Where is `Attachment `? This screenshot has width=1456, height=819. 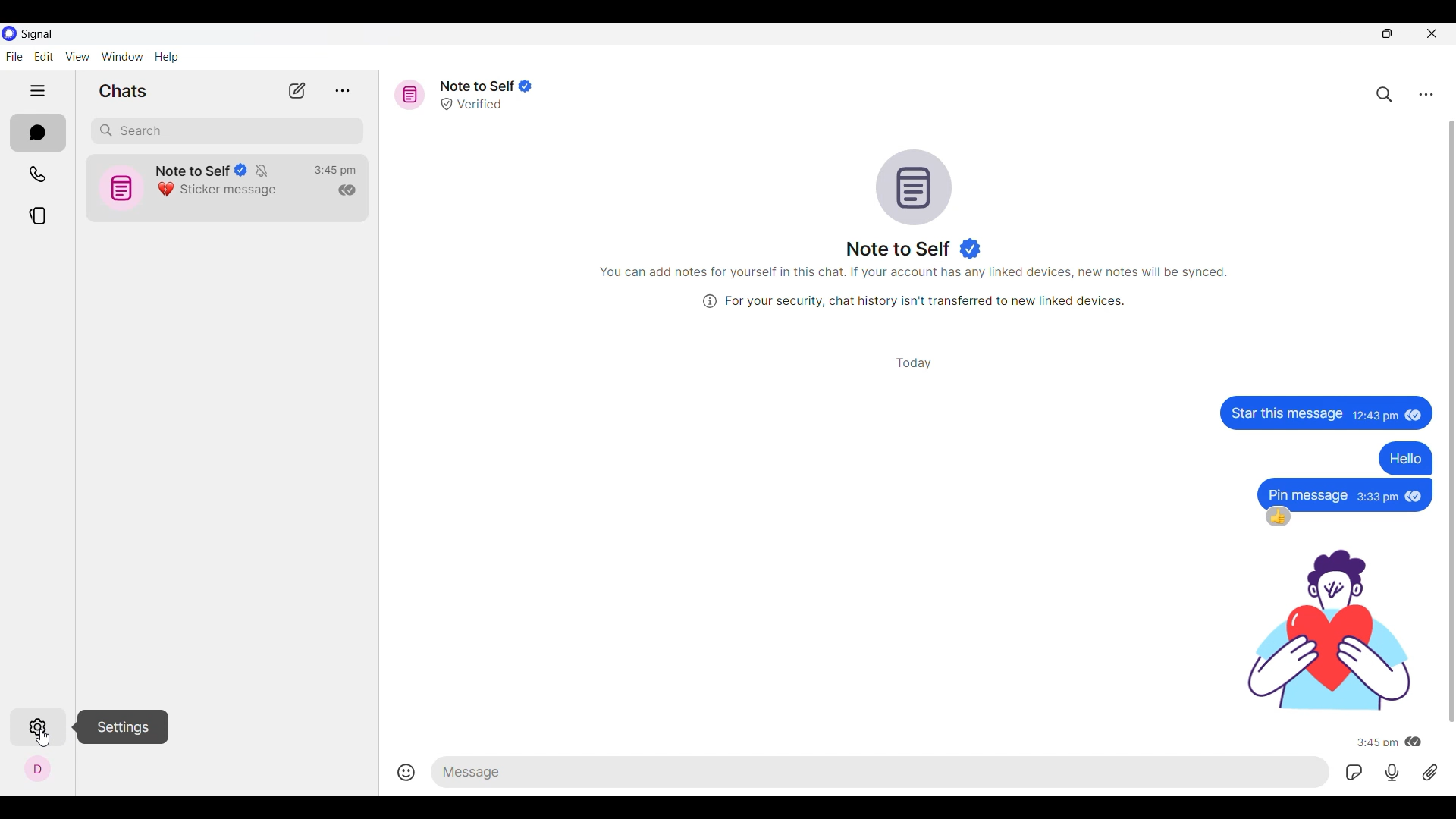
Attachment  is located at coordinates (1431, 772).